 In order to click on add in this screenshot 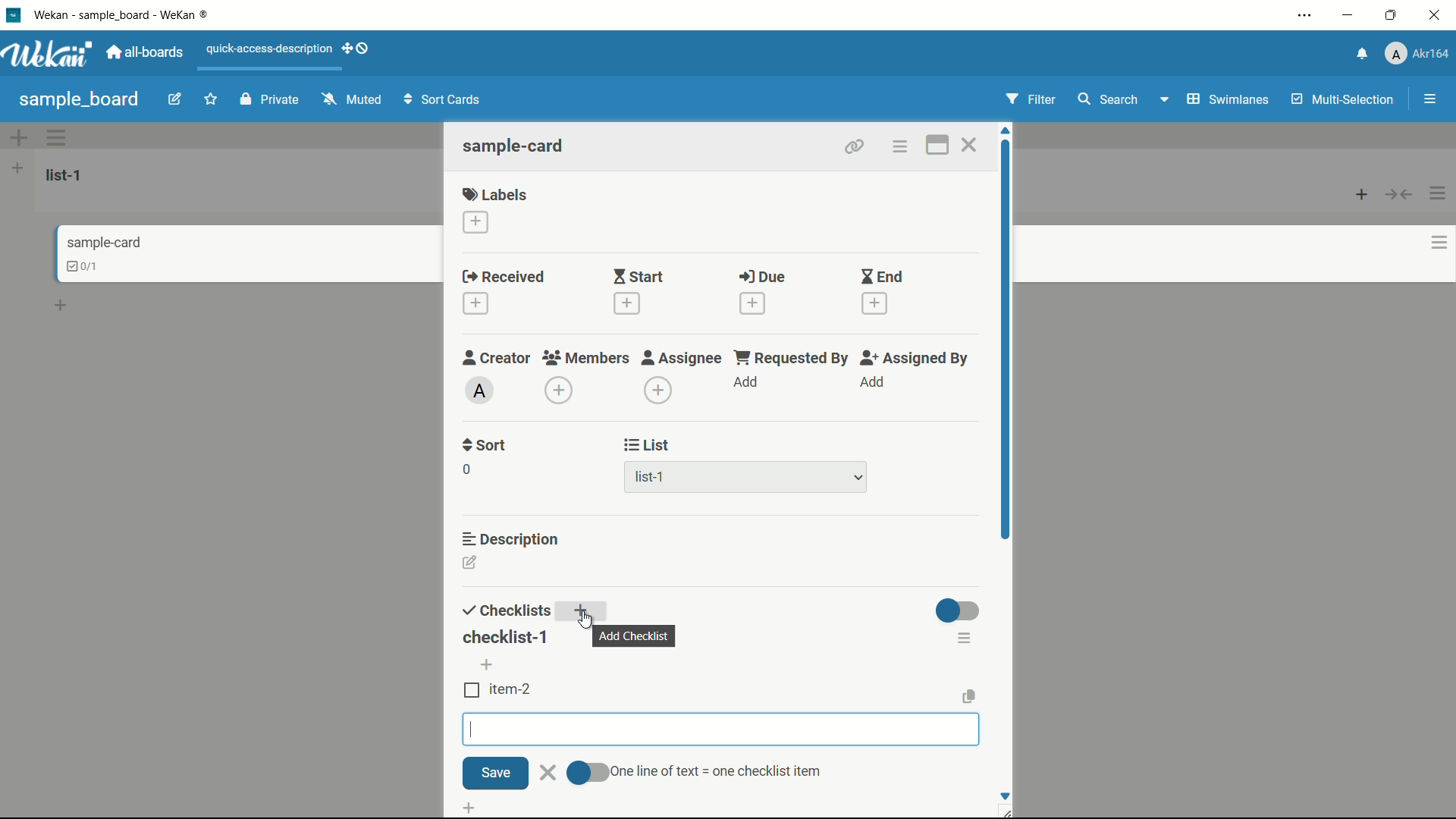, I will do `click(490, 666)`.